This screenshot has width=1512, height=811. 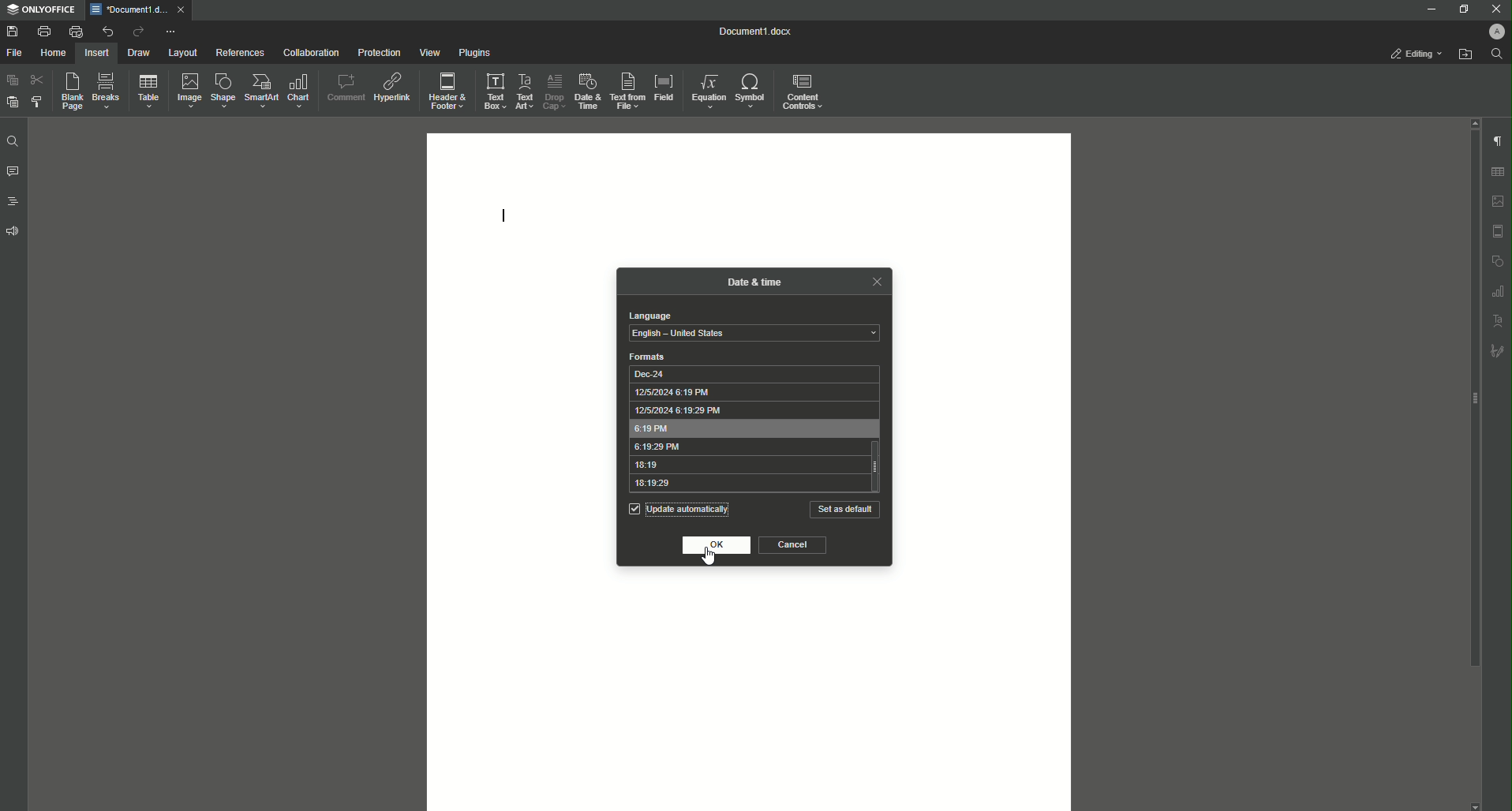 I want to click on Find, so click(x=12, y=141).